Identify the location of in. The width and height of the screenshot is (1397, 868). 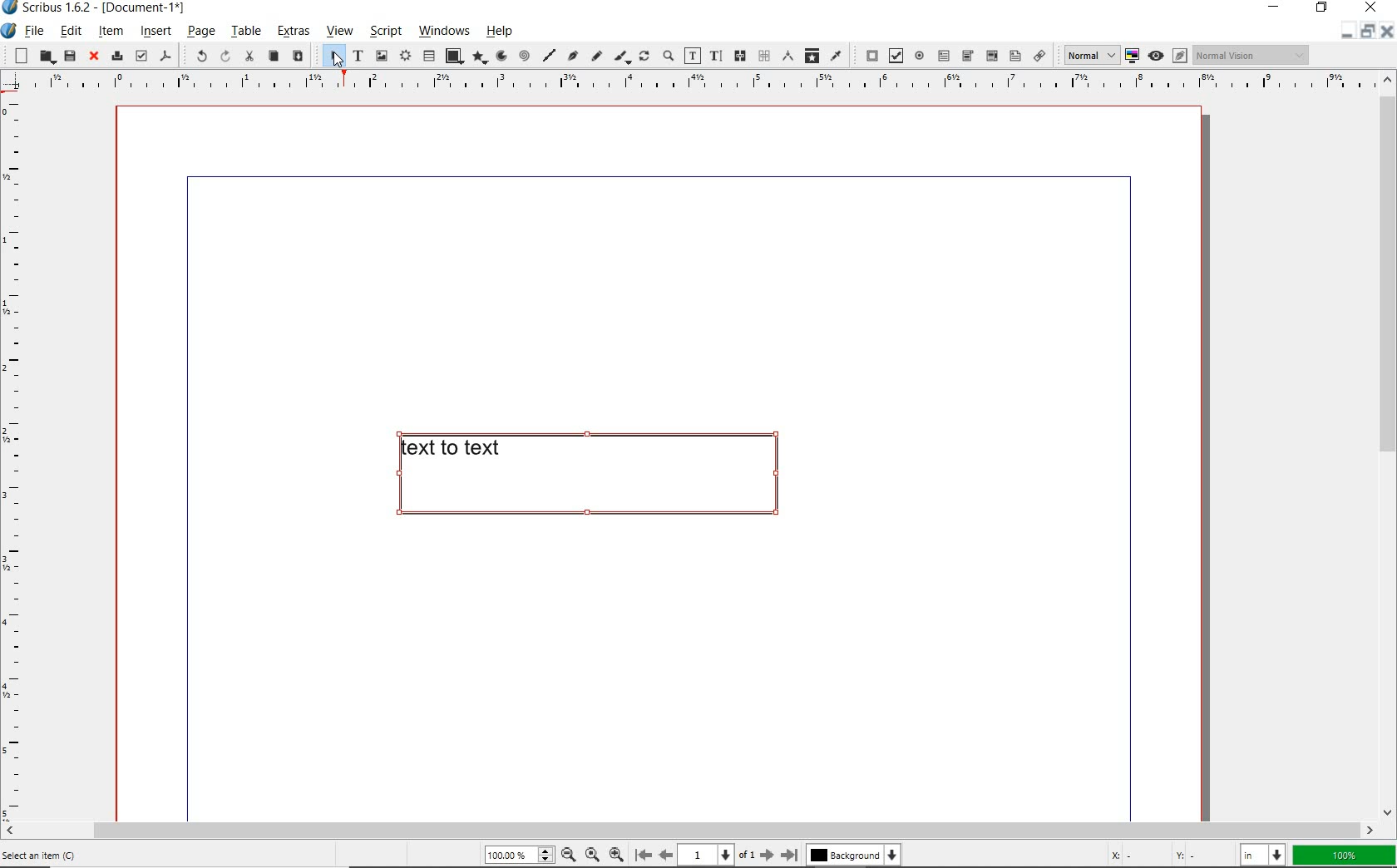
(1265, 854).